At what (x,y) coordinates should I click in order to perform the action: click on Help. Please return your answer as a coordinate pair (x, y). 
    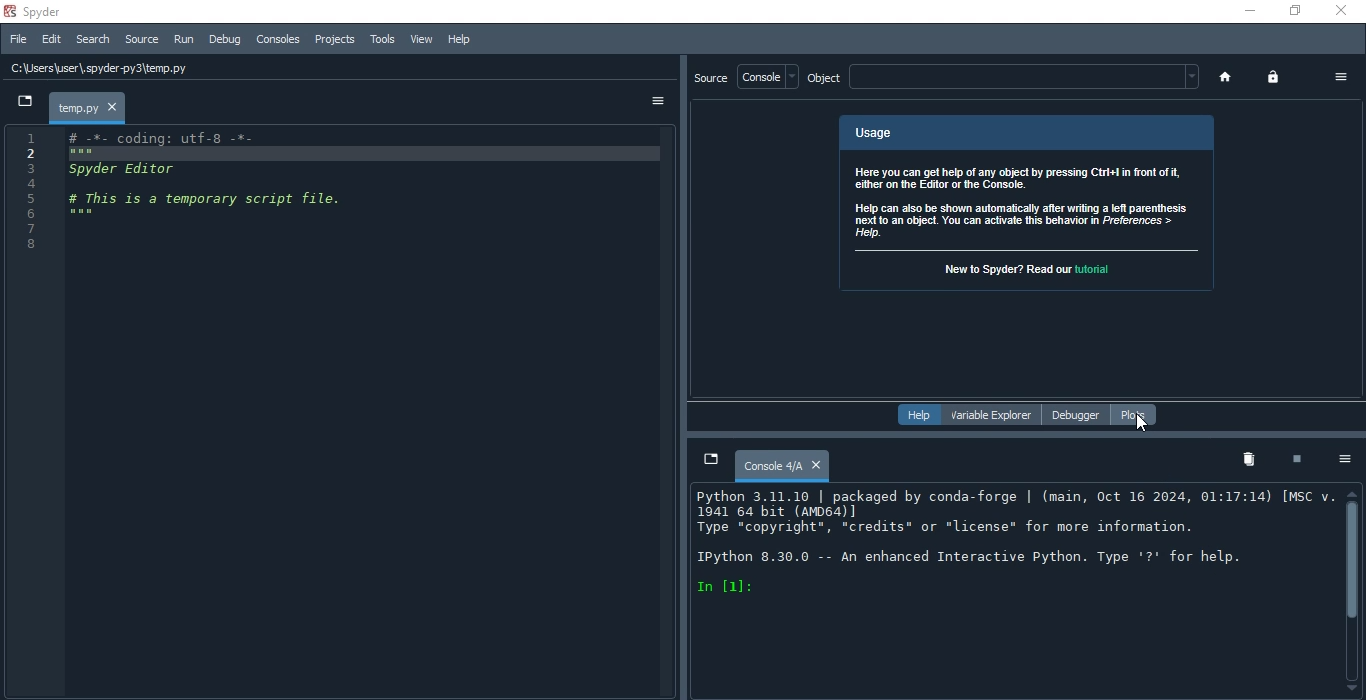
    Looking at the image, I should click on (917, 415).